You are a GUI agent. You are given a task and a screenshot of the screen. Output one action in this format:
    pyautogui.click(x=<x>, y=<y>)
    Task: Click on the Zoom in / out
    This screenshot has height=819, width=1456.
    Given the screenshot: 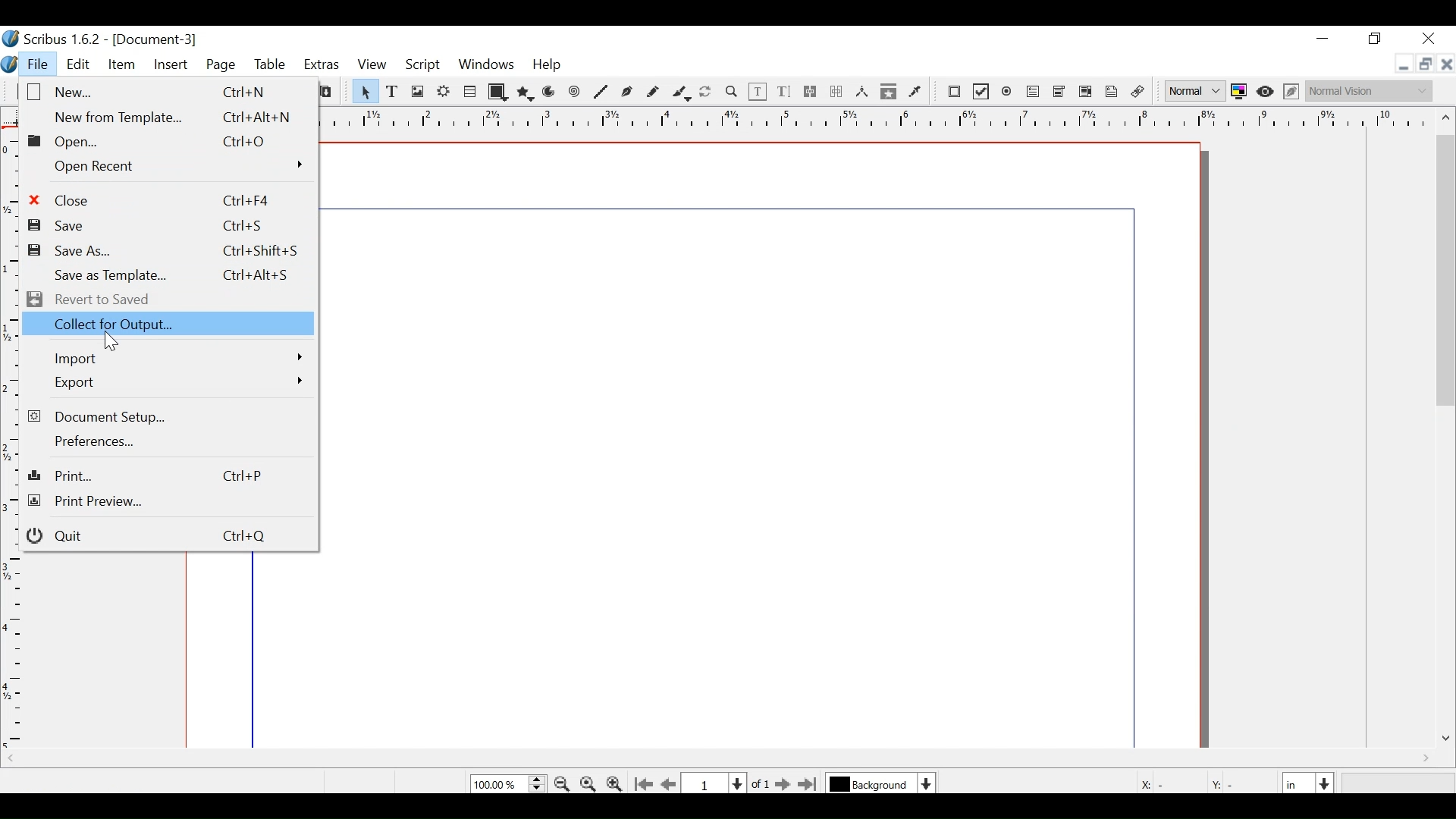 What is the action you would take?
    pyautogui.click(x=731, y=91)
    